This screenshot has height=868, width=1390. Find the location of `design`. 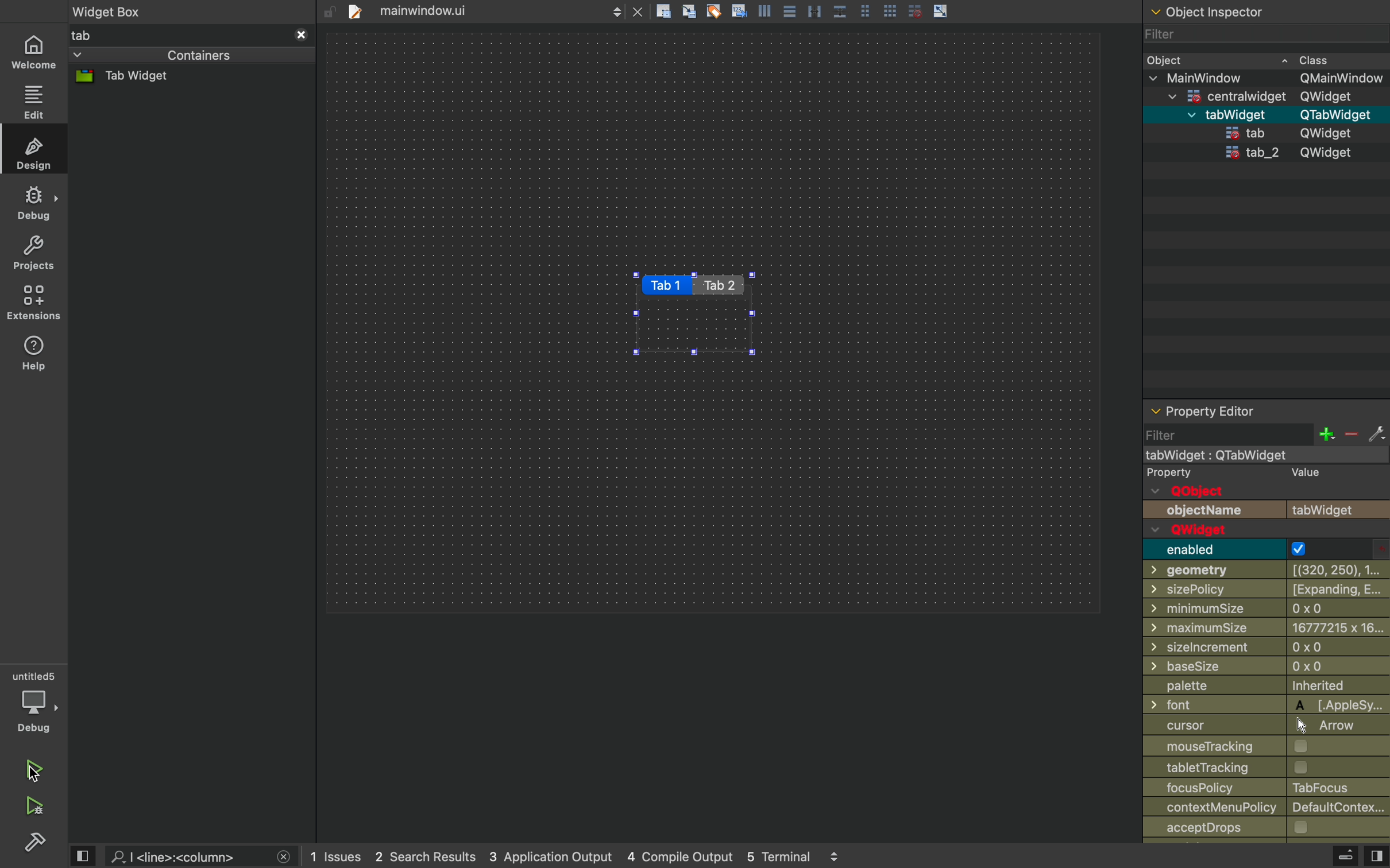

design is located at coordinates (33, 150).